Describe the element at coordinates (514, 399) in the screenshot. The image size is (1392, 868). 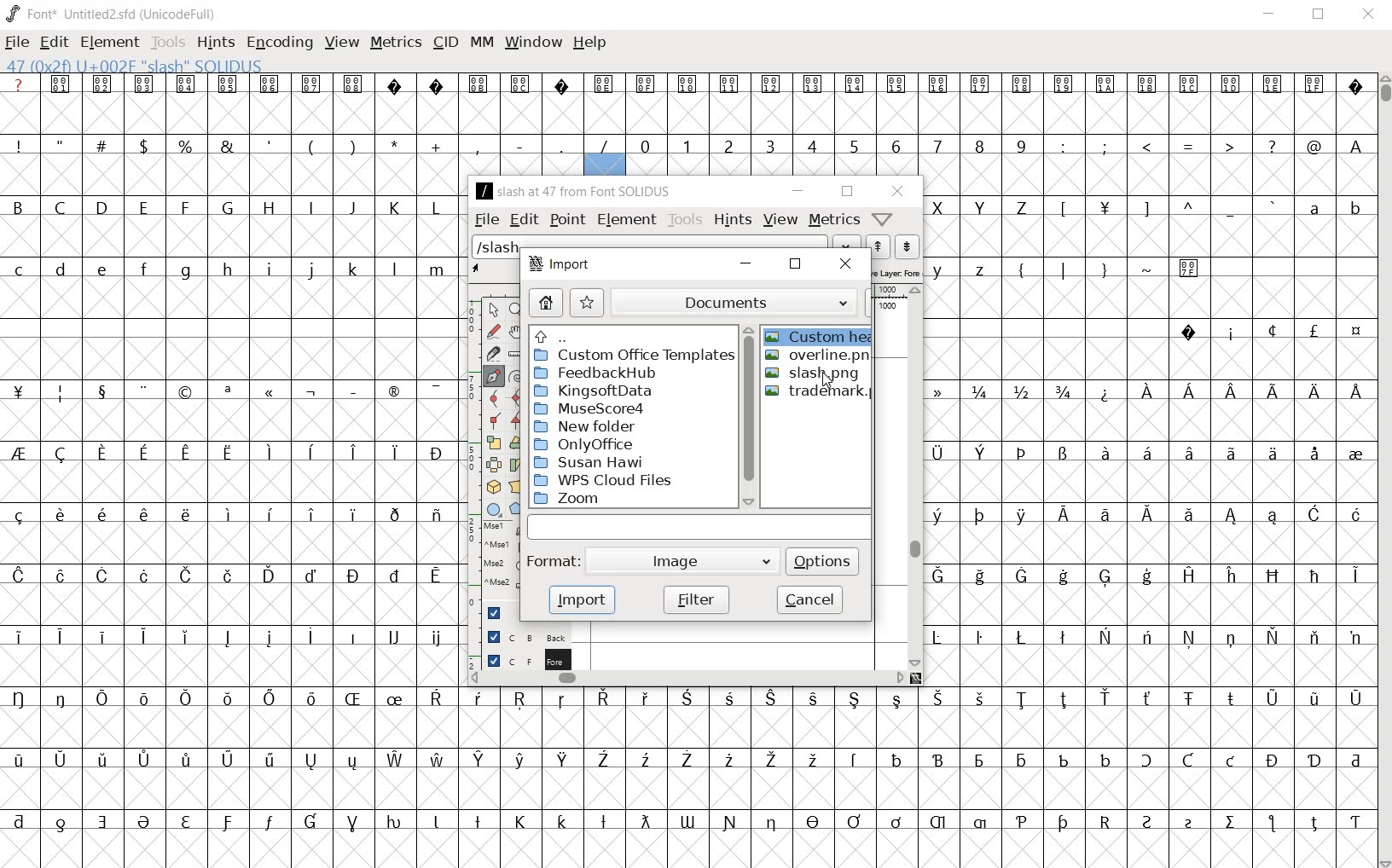
I see `add a curve point always either horizontal or vertical` at that location.